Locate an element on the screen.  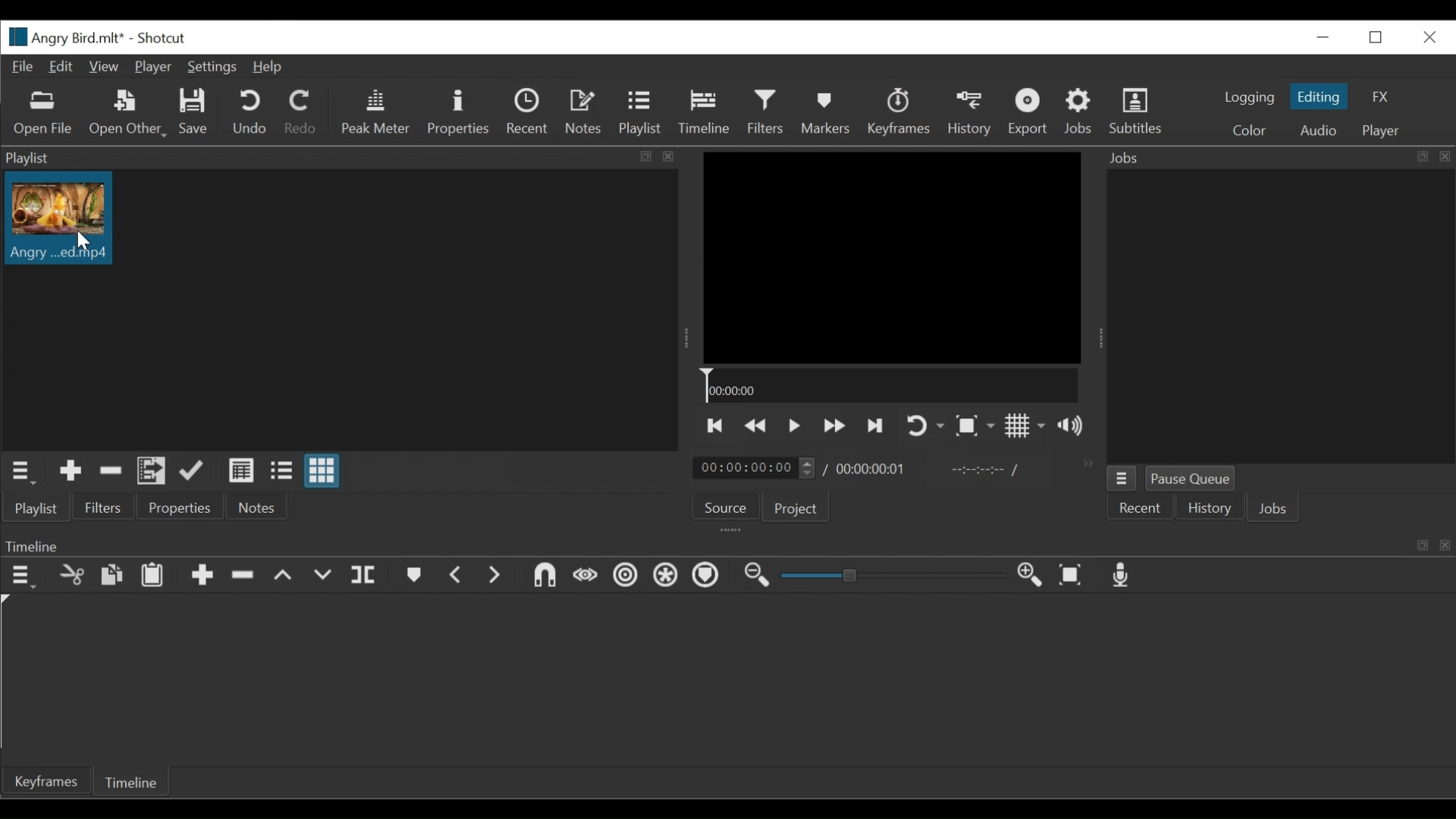
Cursor is located at coordinates (713, 117).